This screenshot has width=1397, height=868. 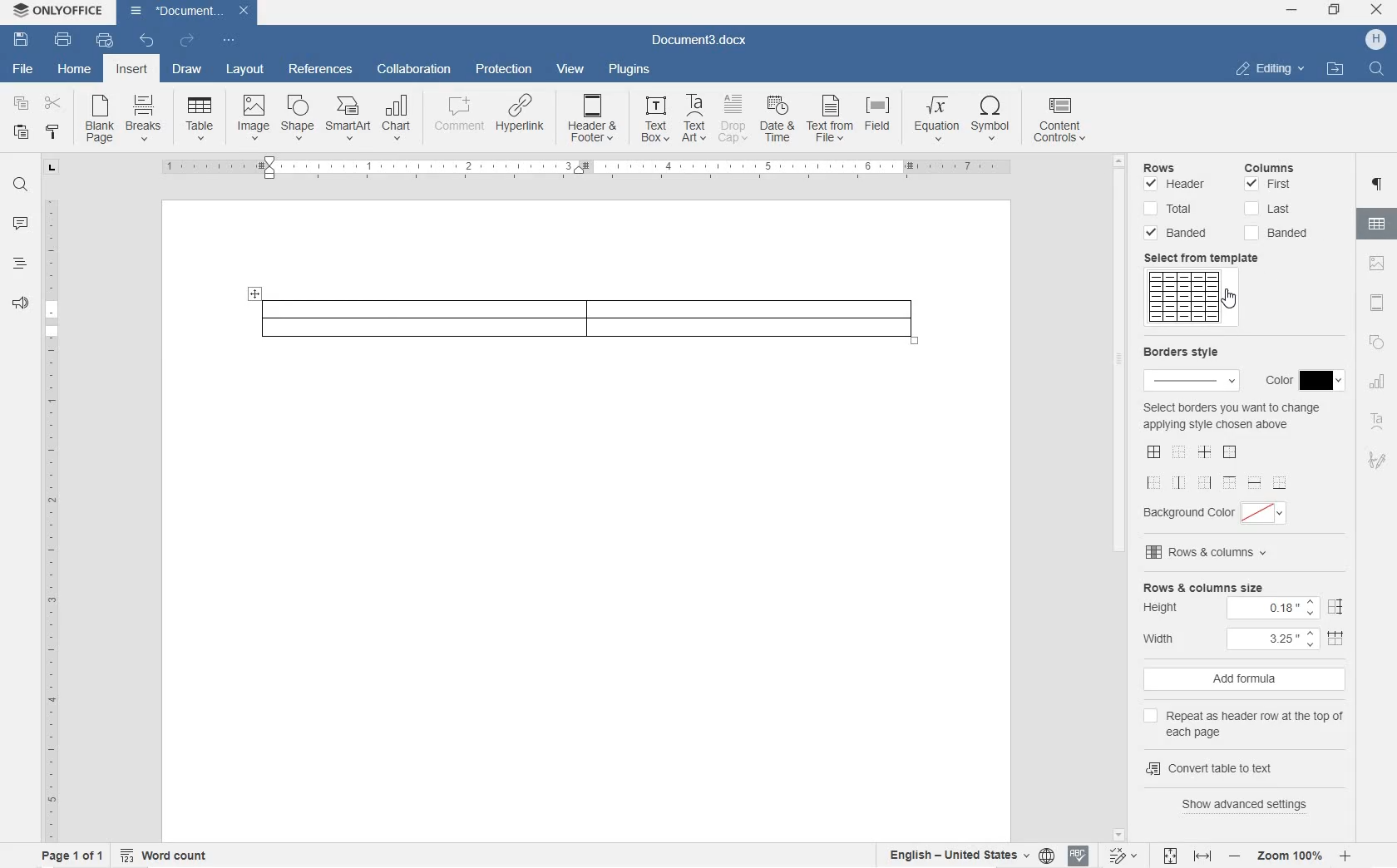 I want to click on Date & Time, so click(x=779, y=121).